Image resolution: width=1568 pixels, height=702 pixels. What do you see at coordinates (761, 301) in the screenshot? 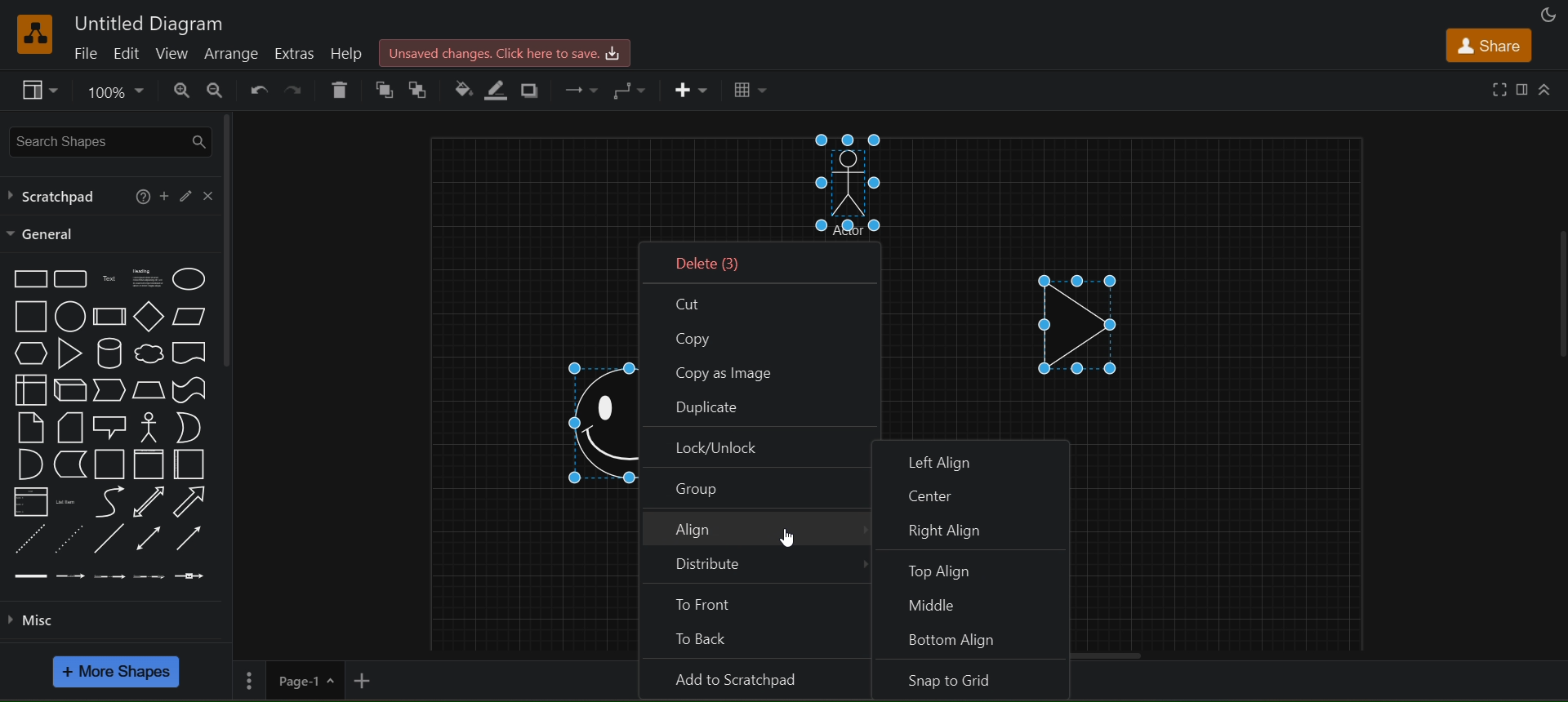
I see `cut` at bounding box center [761, 301].